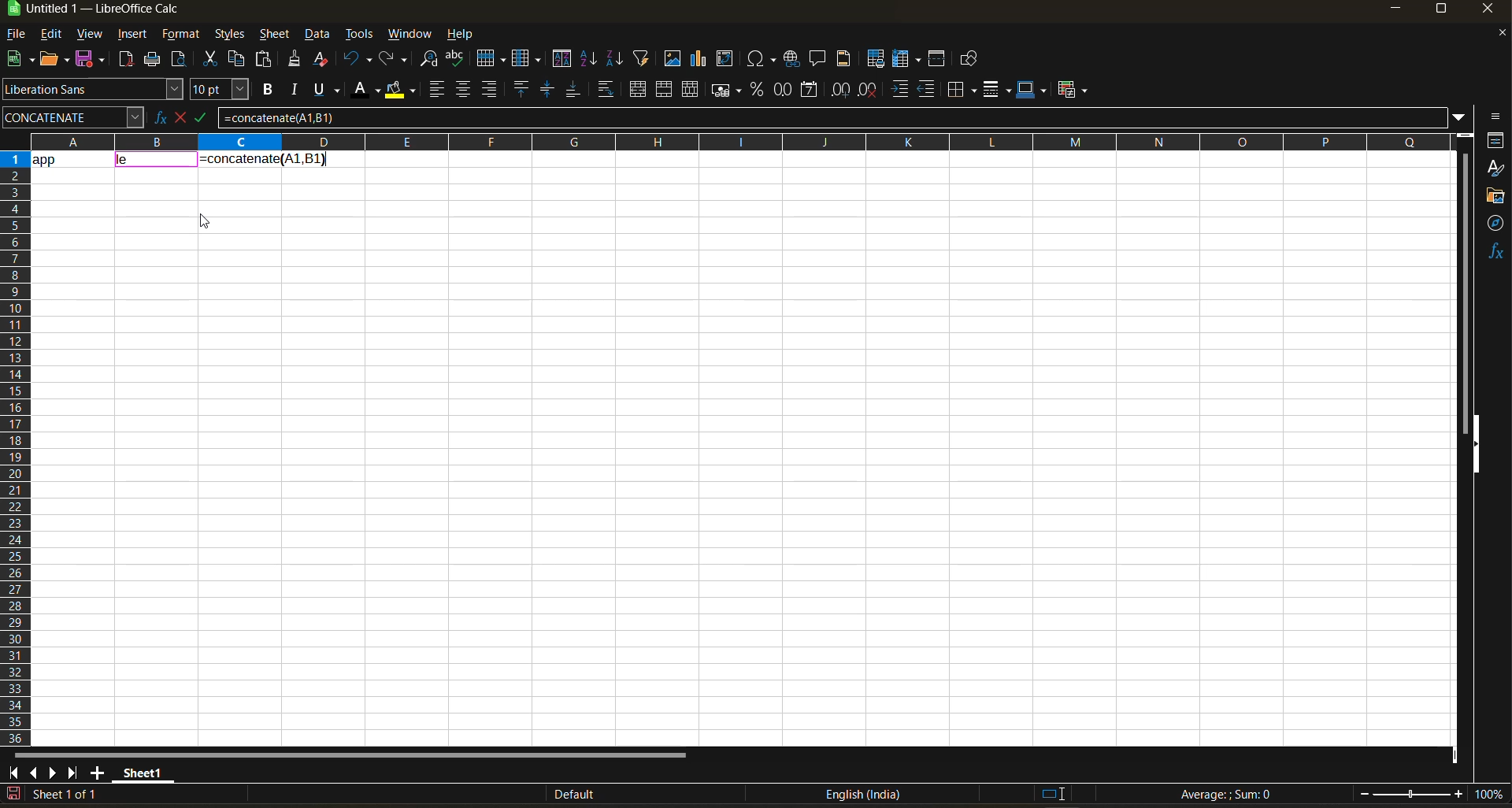 The image size is (1512, 808). Describe the element at coordinates (765, 60) in the screenshot. I see `insert special characters` at that location.